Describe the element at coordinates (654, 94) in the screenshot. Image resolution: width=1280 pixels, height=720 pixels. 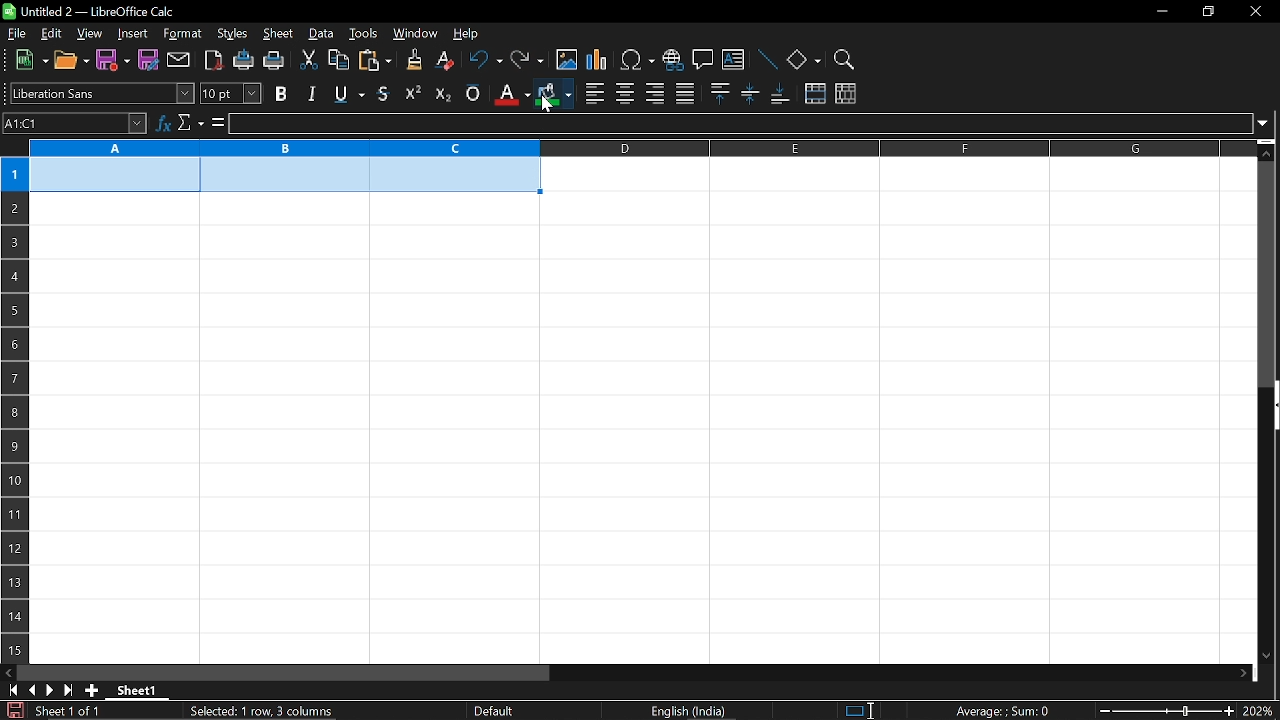
I see `align right` at that location.